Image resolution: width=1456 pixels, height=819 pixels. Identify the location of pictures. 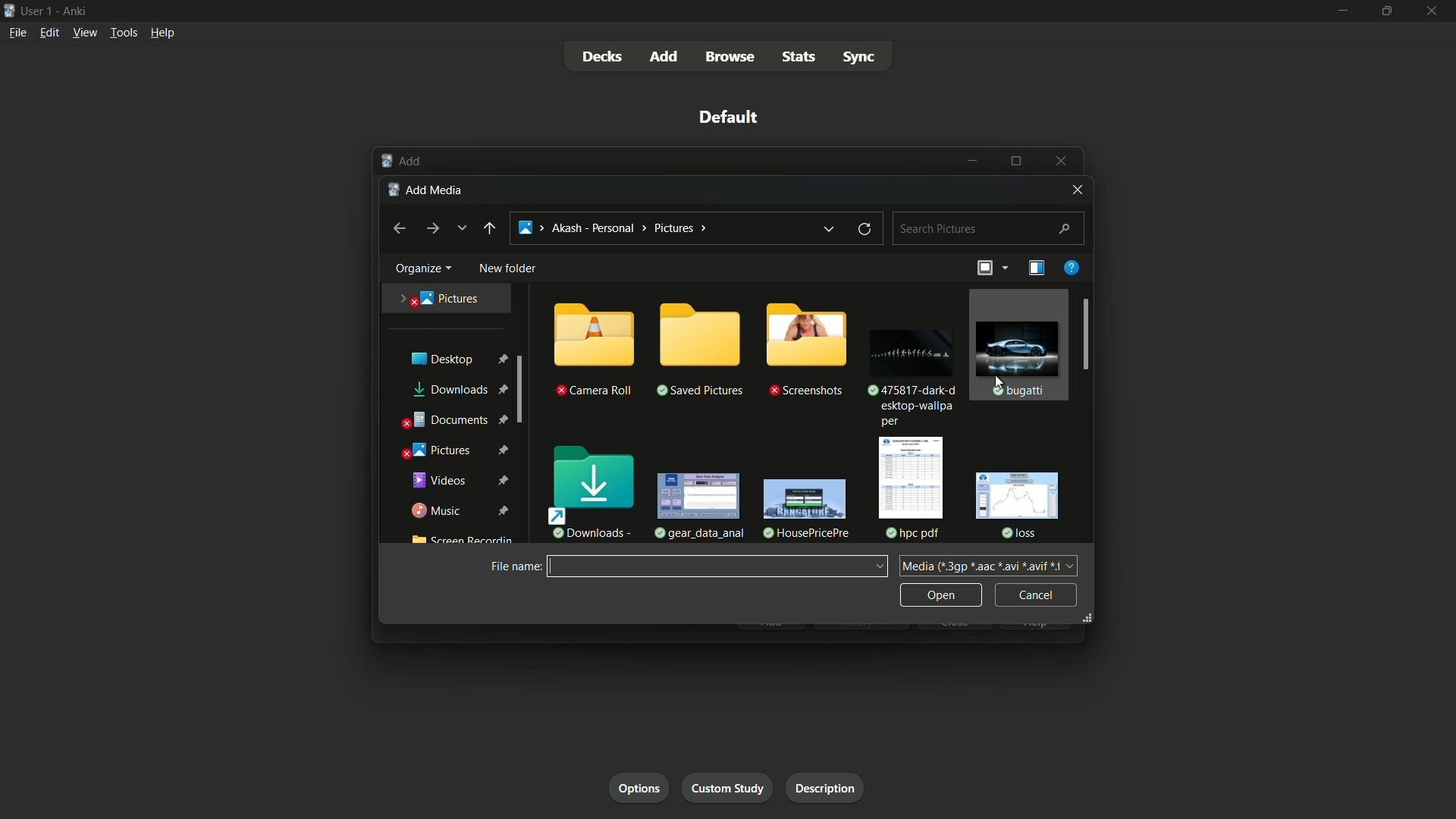
(457, 449).